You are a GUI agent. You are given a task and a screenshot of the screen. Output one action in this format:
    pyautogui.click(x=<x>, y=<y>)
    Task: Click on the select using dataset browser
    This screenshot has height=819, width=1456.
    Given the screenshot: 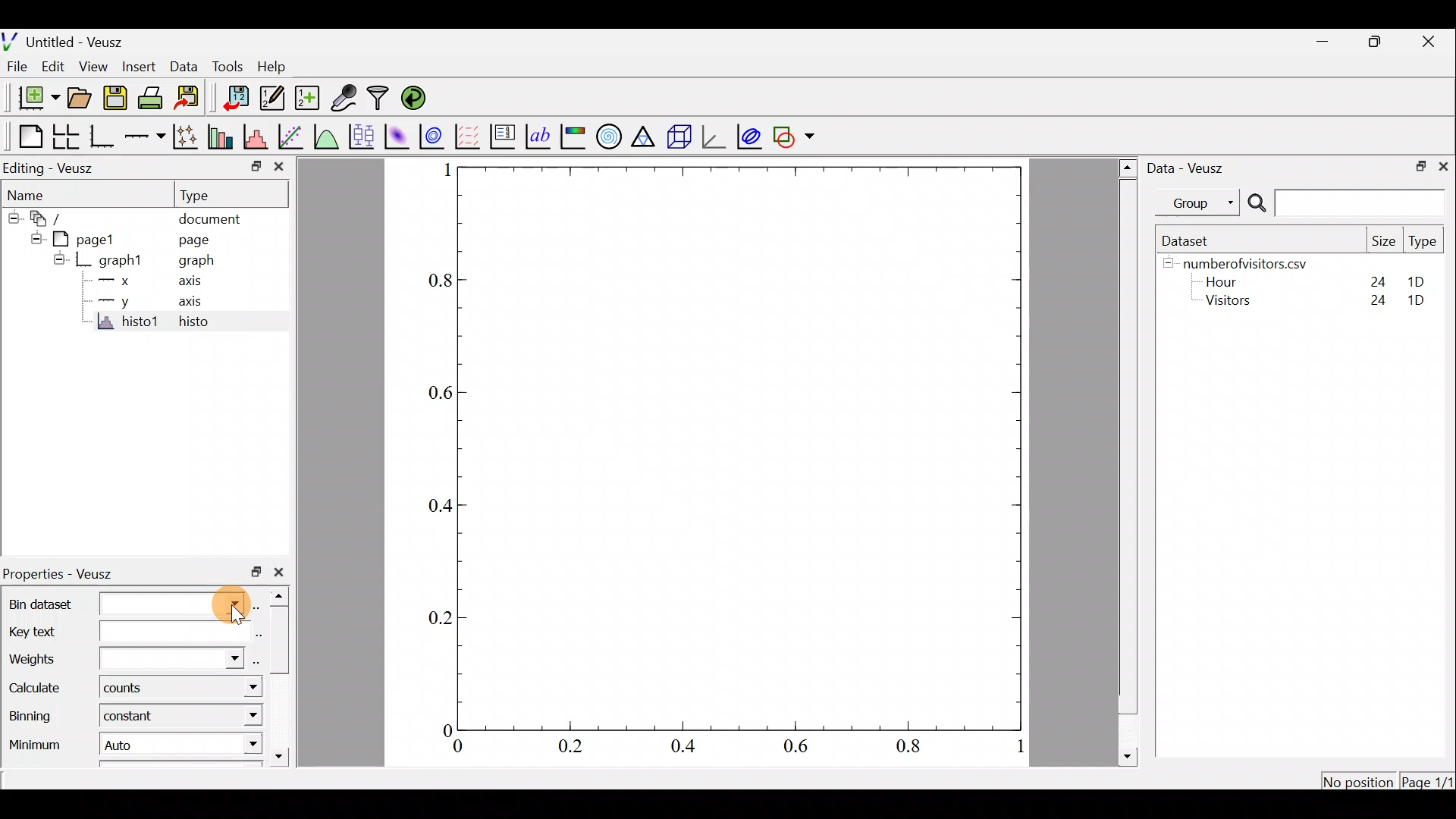 What is the action you would take?
    pyautogui.click(x=255, y=663)
    